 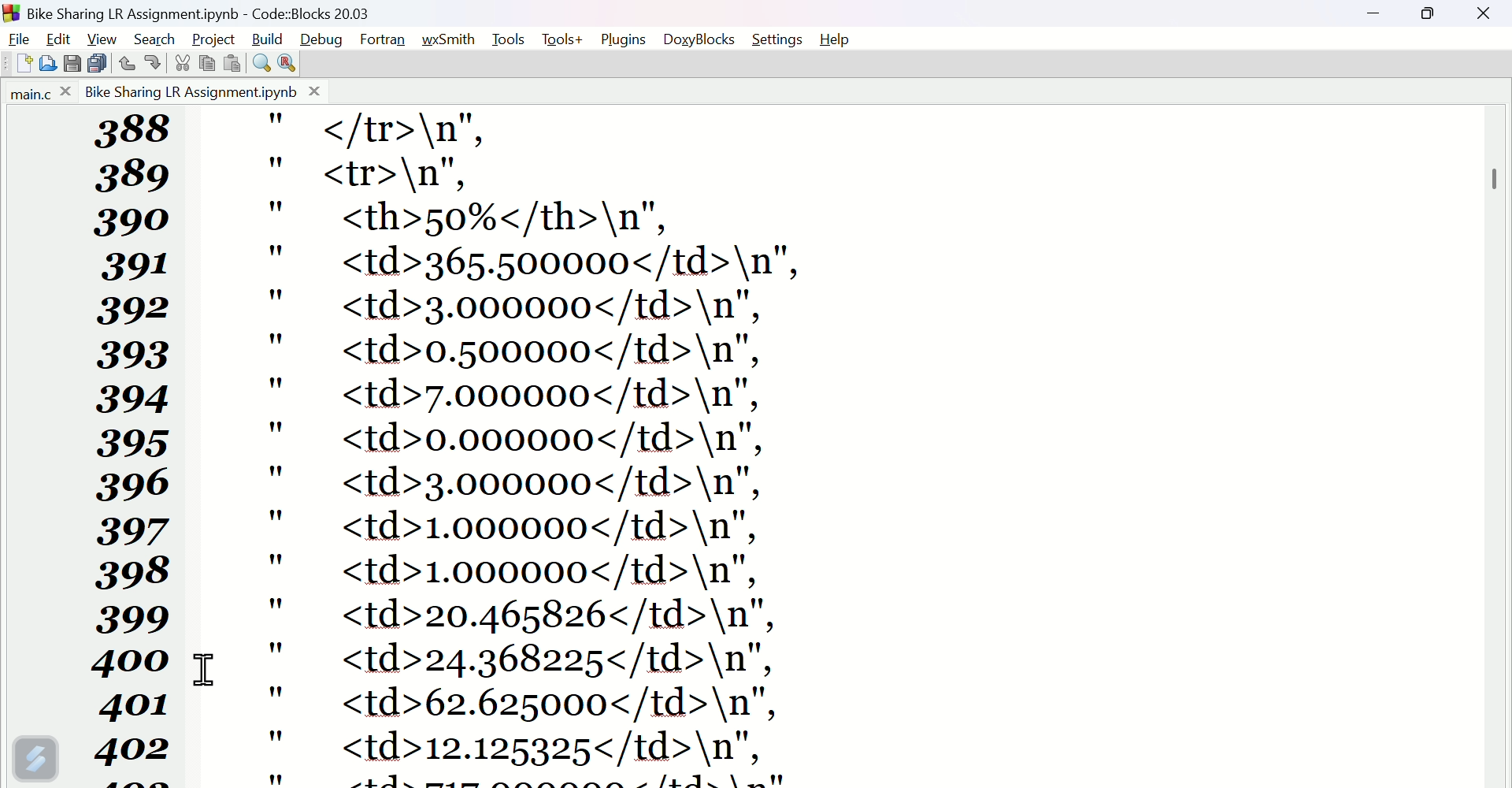 What do you see at coordinates (270, 38) in the screenshot?
I see `Build` at bounding box center [270, 38].